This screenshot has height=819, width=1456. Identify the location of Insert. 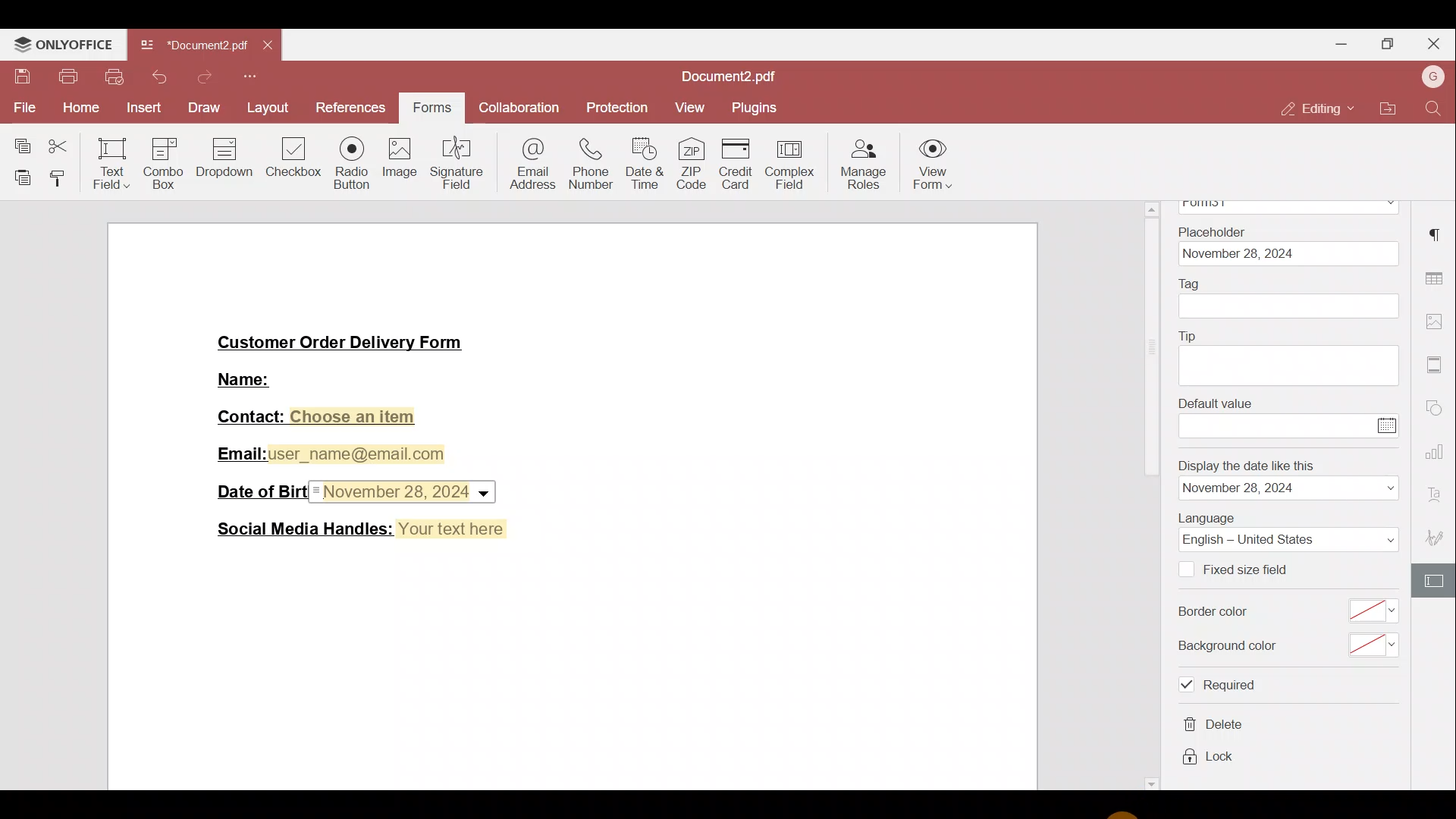
(143, 108).